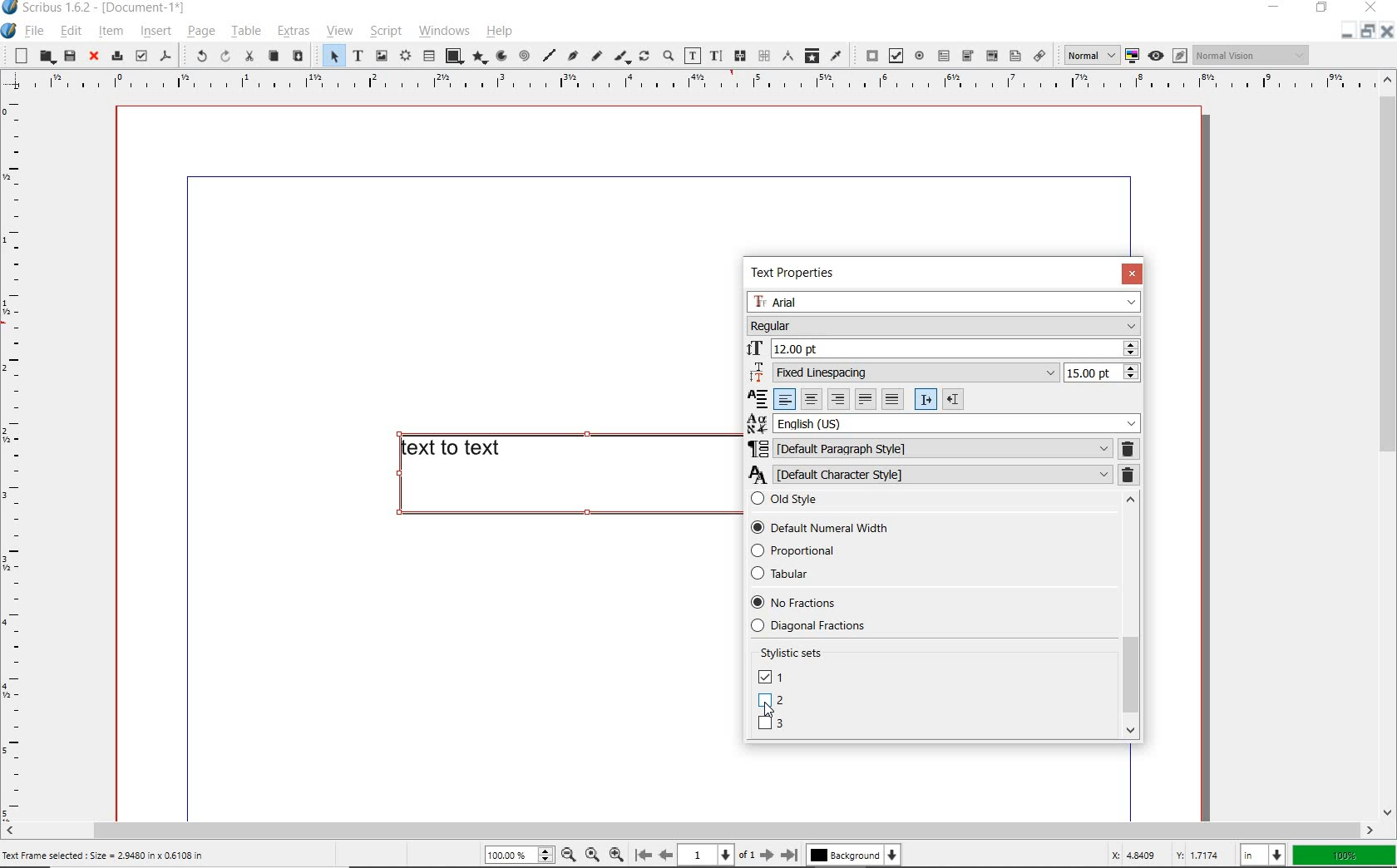 The image size is (1397, 868). Describe the element at coordinates (715, 56) in the screenshot. I see `edit text with story editor` at that location.